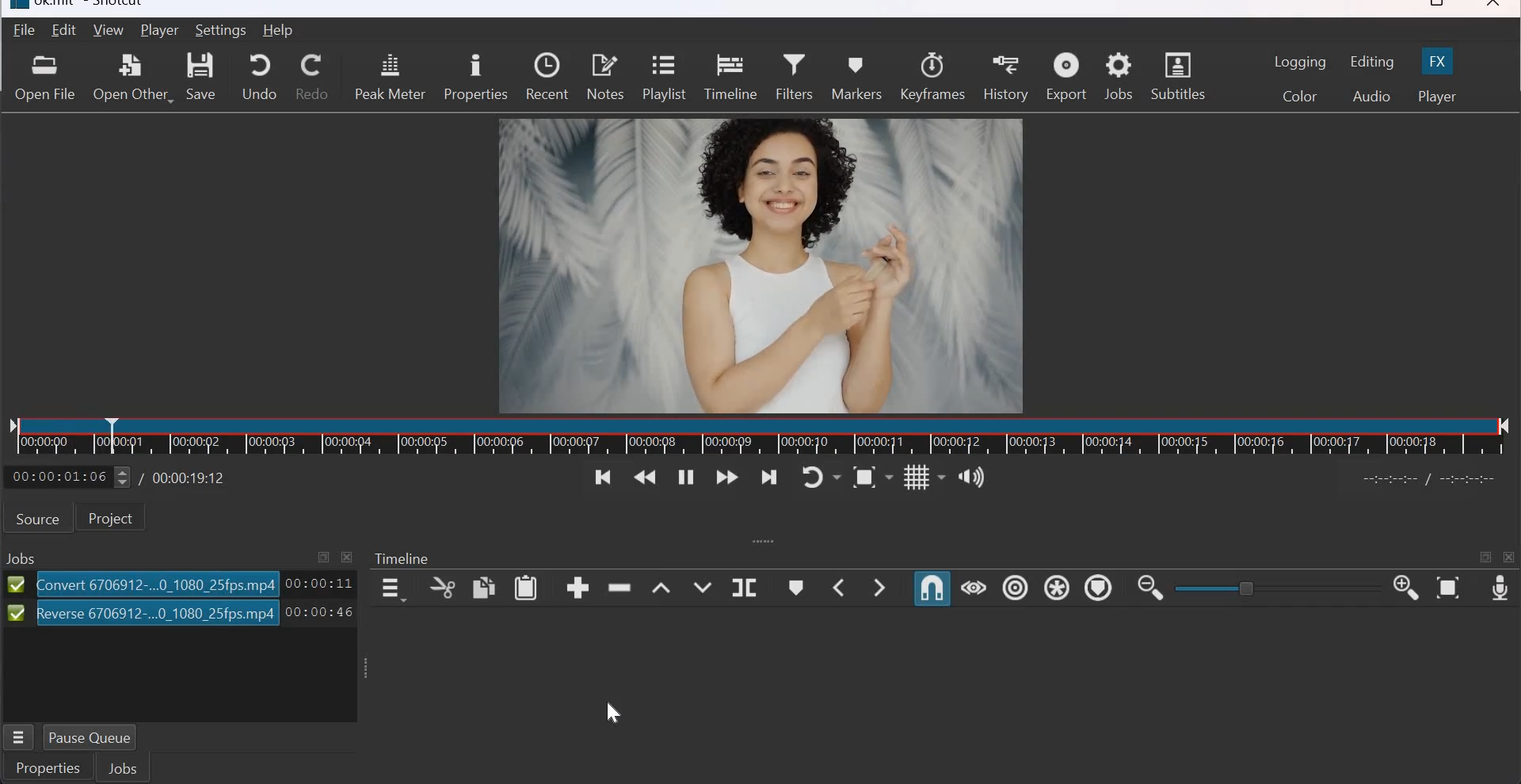 This screenshot has width=1521, height=784. I want to click on Toggle zoom, so click(871, 476).